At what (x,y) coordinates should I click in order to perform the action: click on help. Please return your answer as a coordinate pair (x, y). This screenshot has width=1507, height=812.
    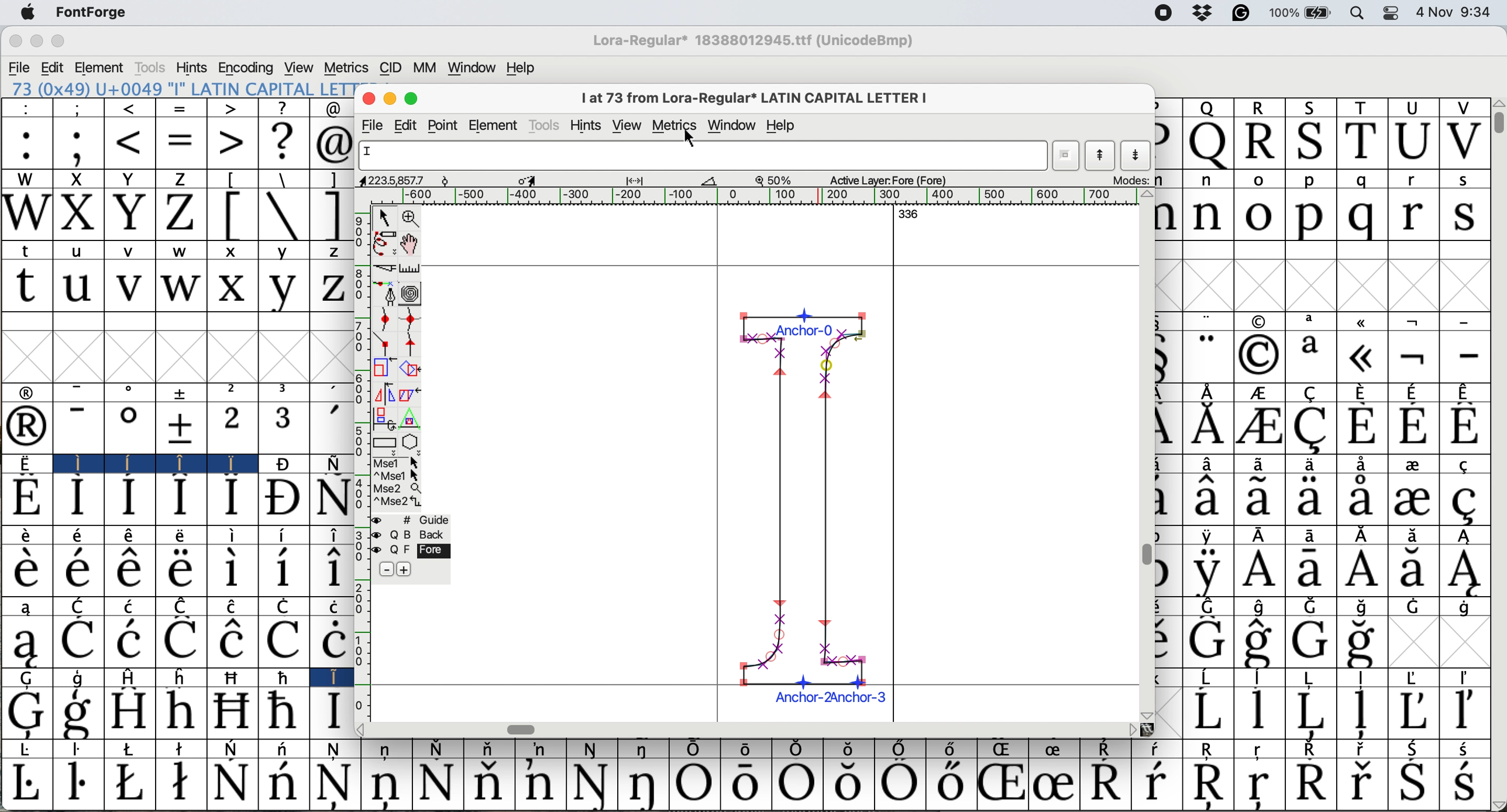
    Looking at the image, I should click on (789, 125).